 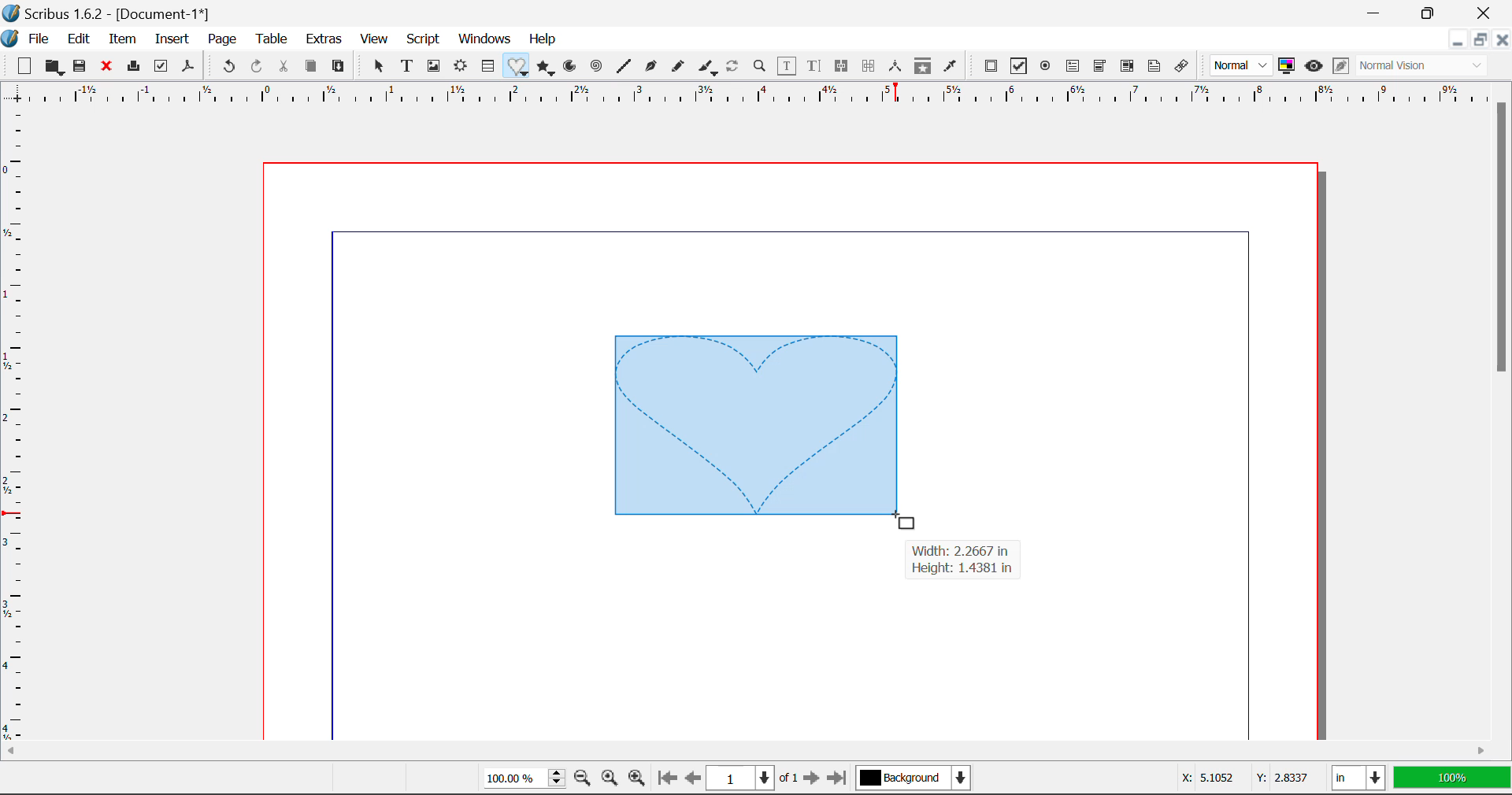 What do you see at coordinates (608, 780) in the screenshot?
I see `Zoom to 100%` at bounding box center [608, 780].